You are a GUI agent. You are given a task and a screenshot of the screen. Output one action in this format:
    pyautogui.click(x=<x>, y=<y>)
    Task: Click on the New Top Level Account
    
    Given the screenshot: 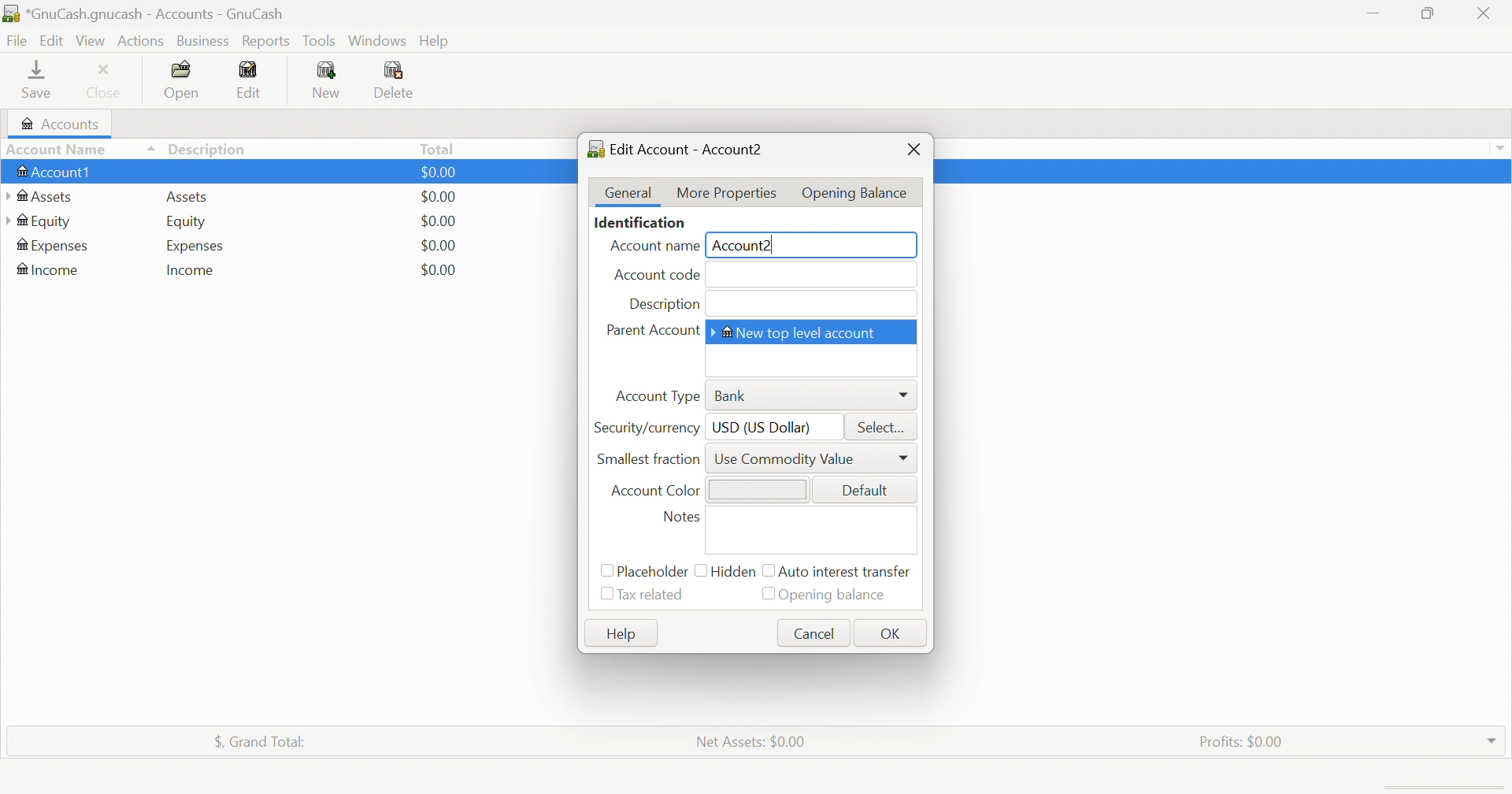 What is the action you would take?
    pyautogui.click(x=801, y=332)
    